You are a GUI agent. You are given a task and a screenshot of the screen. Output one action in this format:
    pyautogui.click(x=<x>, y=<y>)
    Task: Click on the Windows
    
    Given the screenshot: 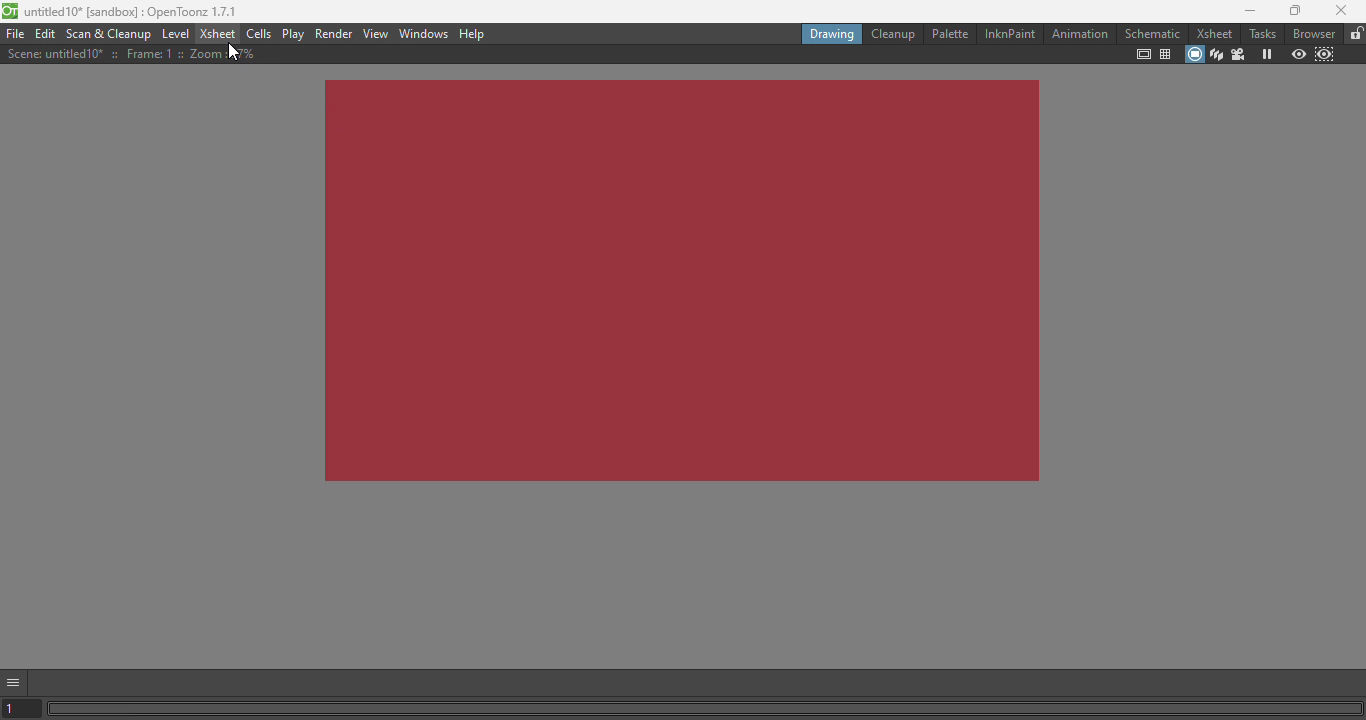 What is the action you would take?
    pyautogui.click(x=426, y=33)
    